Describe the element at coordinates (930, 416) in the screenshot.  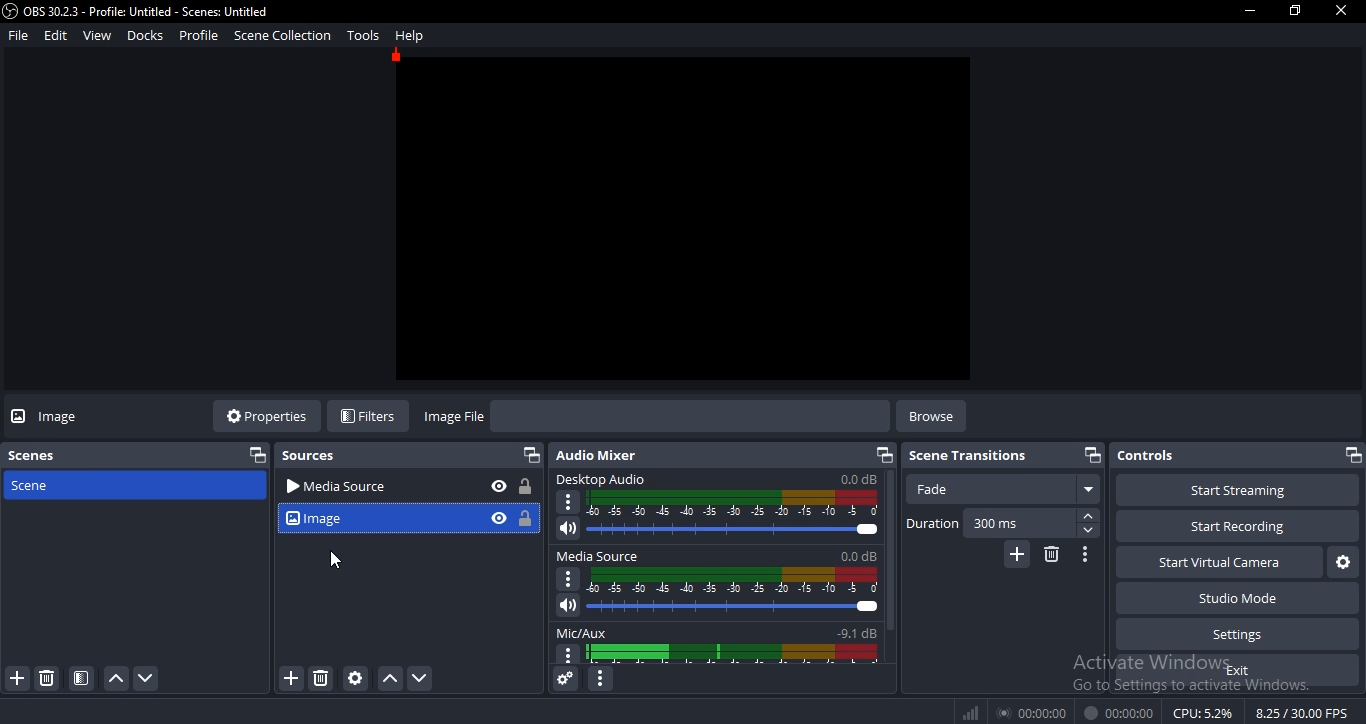
I see `browse` at that location.